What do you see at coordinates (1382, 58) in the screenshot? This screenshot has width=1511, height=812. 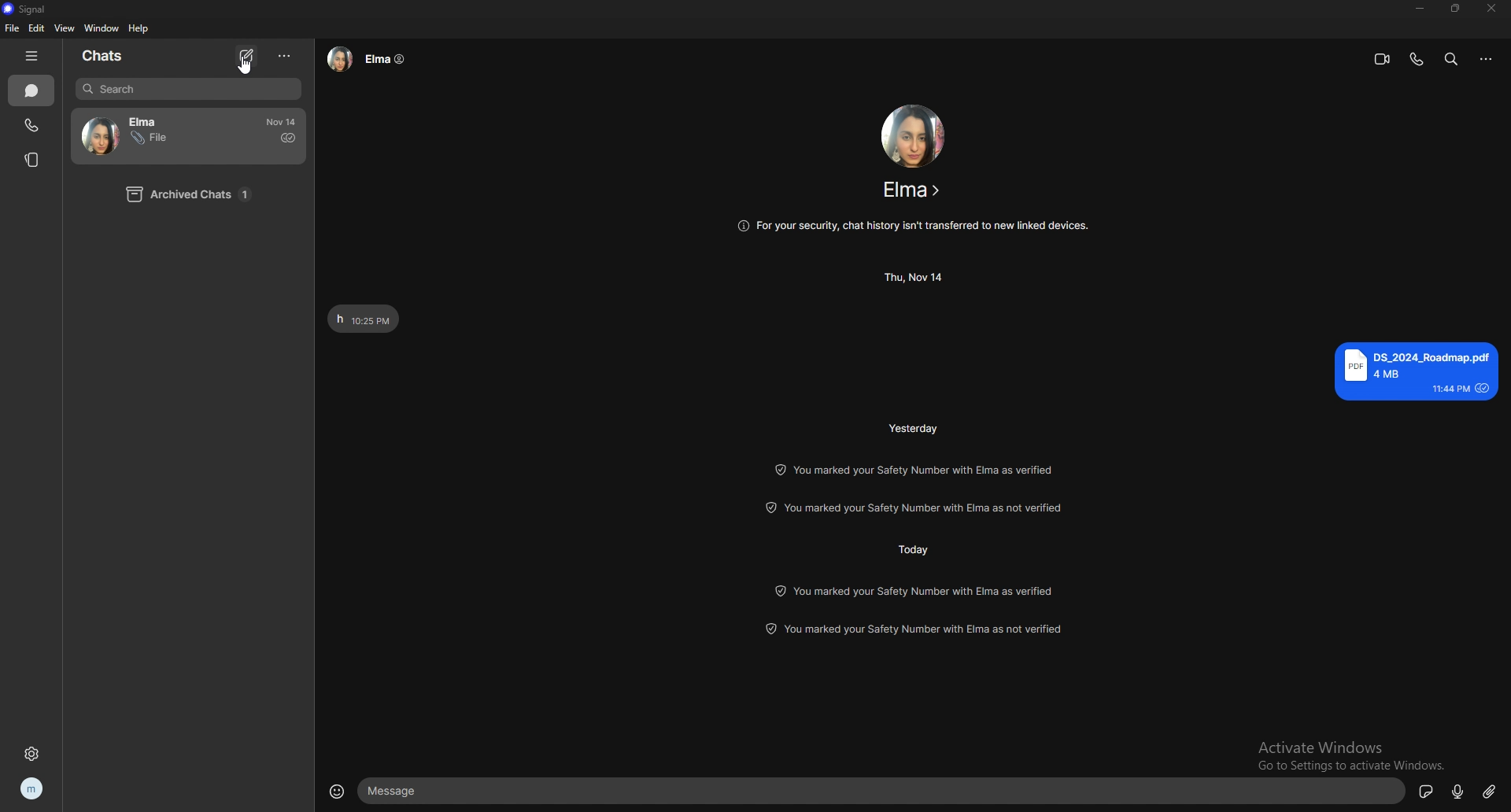 I see `video call` at bounding box center [1382, 58].